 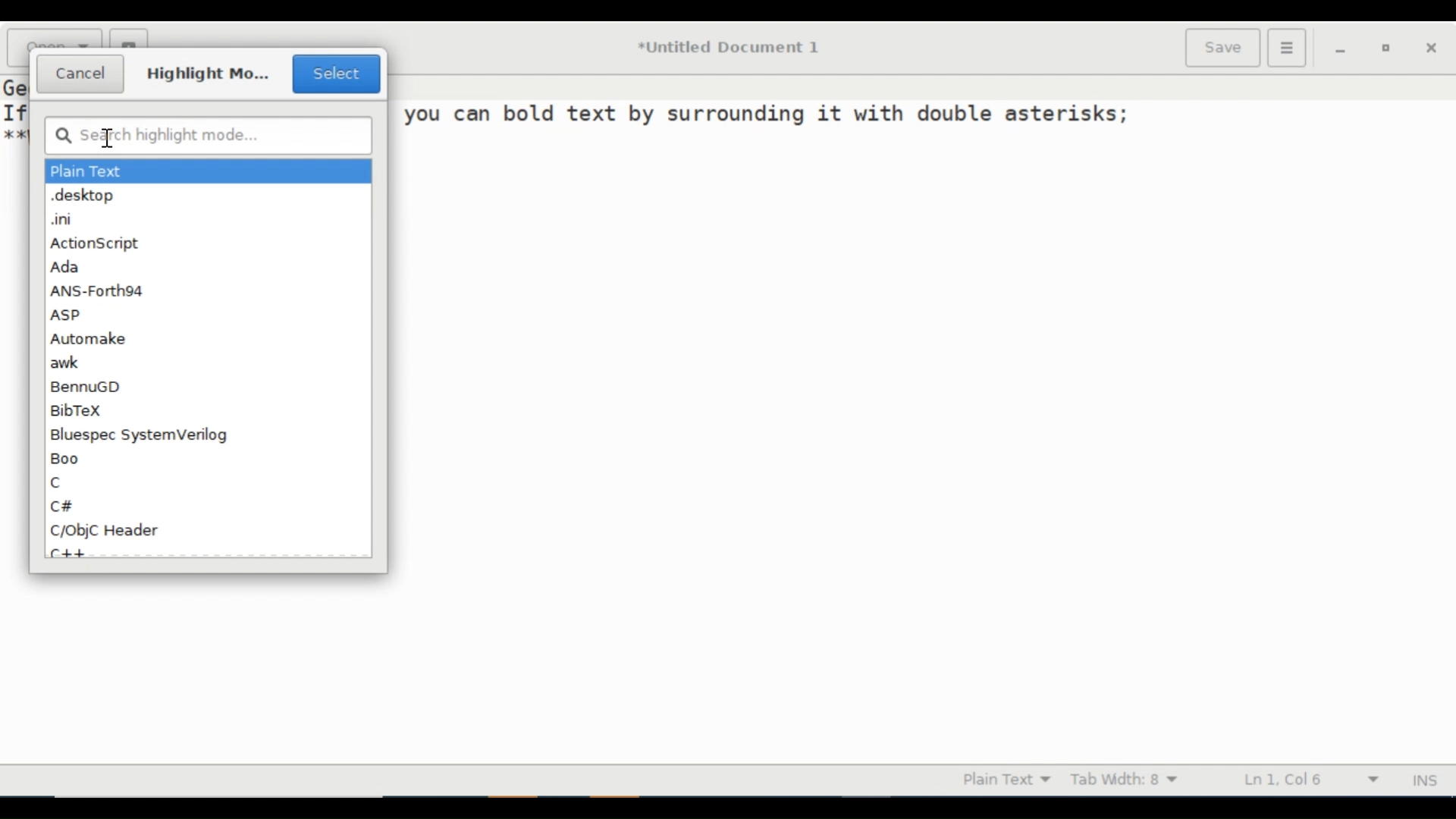 I want to click on .ini, so click(x=63, y=220).